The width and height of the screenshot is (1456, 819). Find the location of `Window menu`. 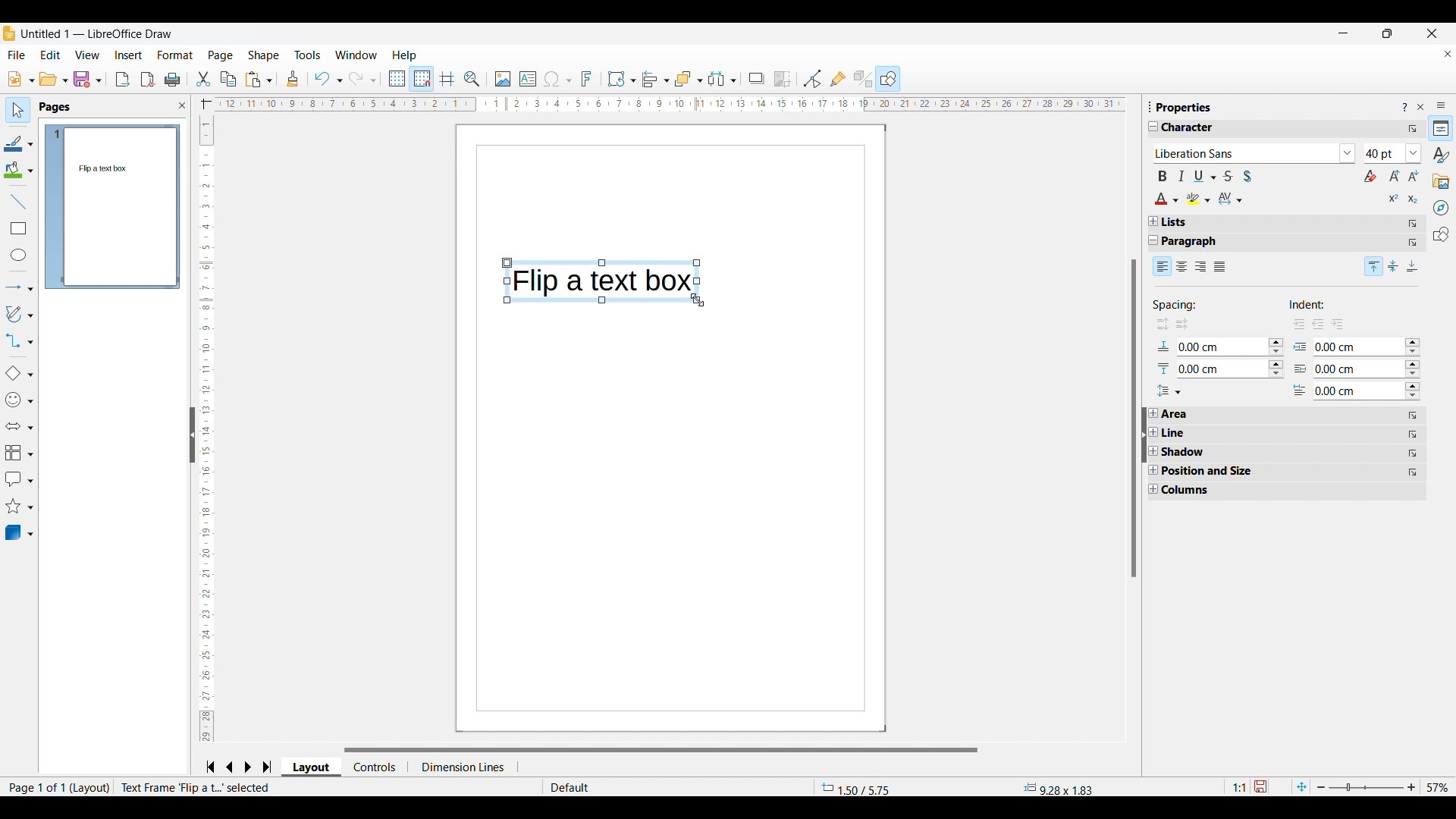

Window menu is located at coordinates (356, 55).